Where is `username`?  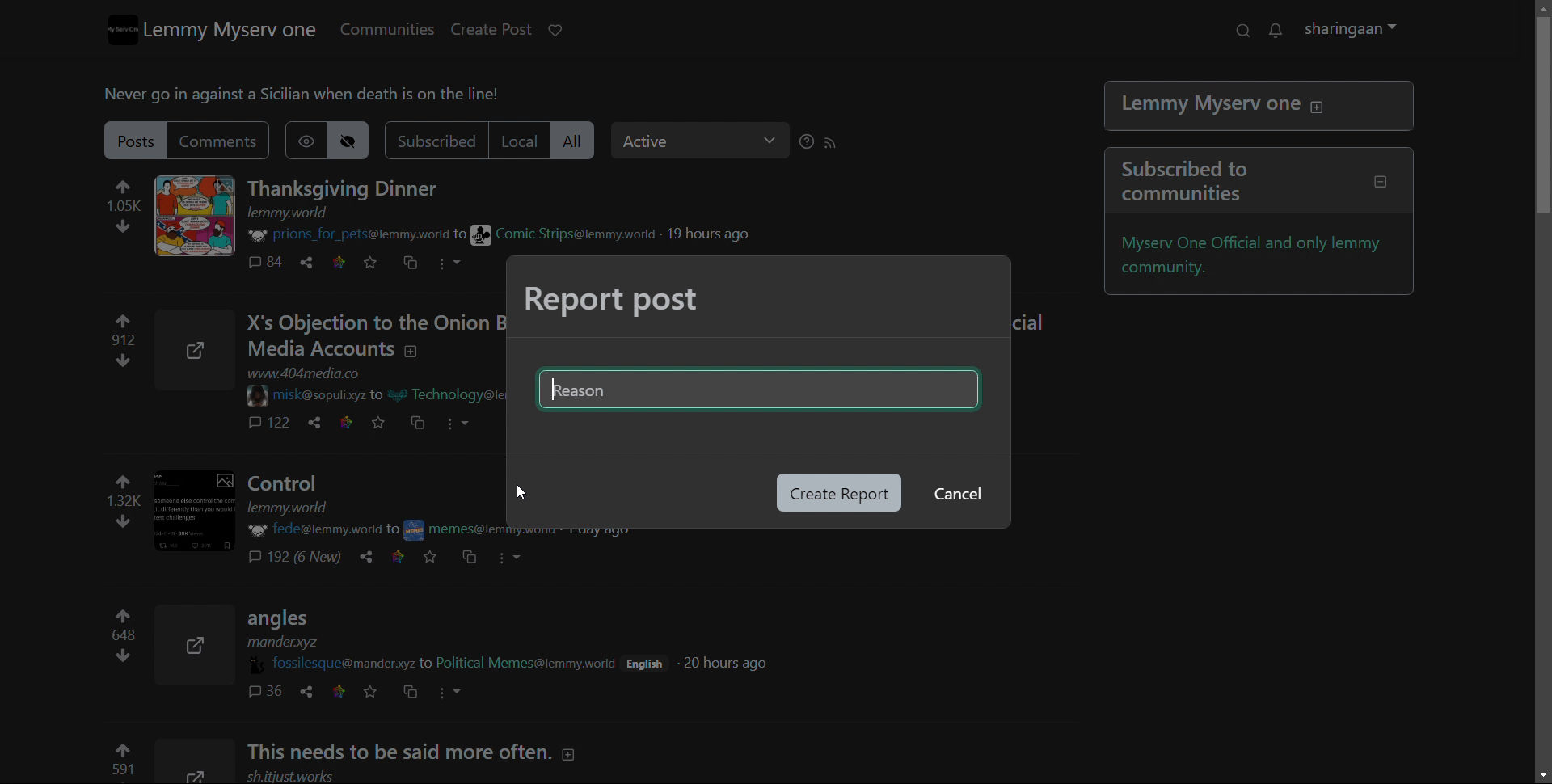 username is located at coordinates (315, 529).